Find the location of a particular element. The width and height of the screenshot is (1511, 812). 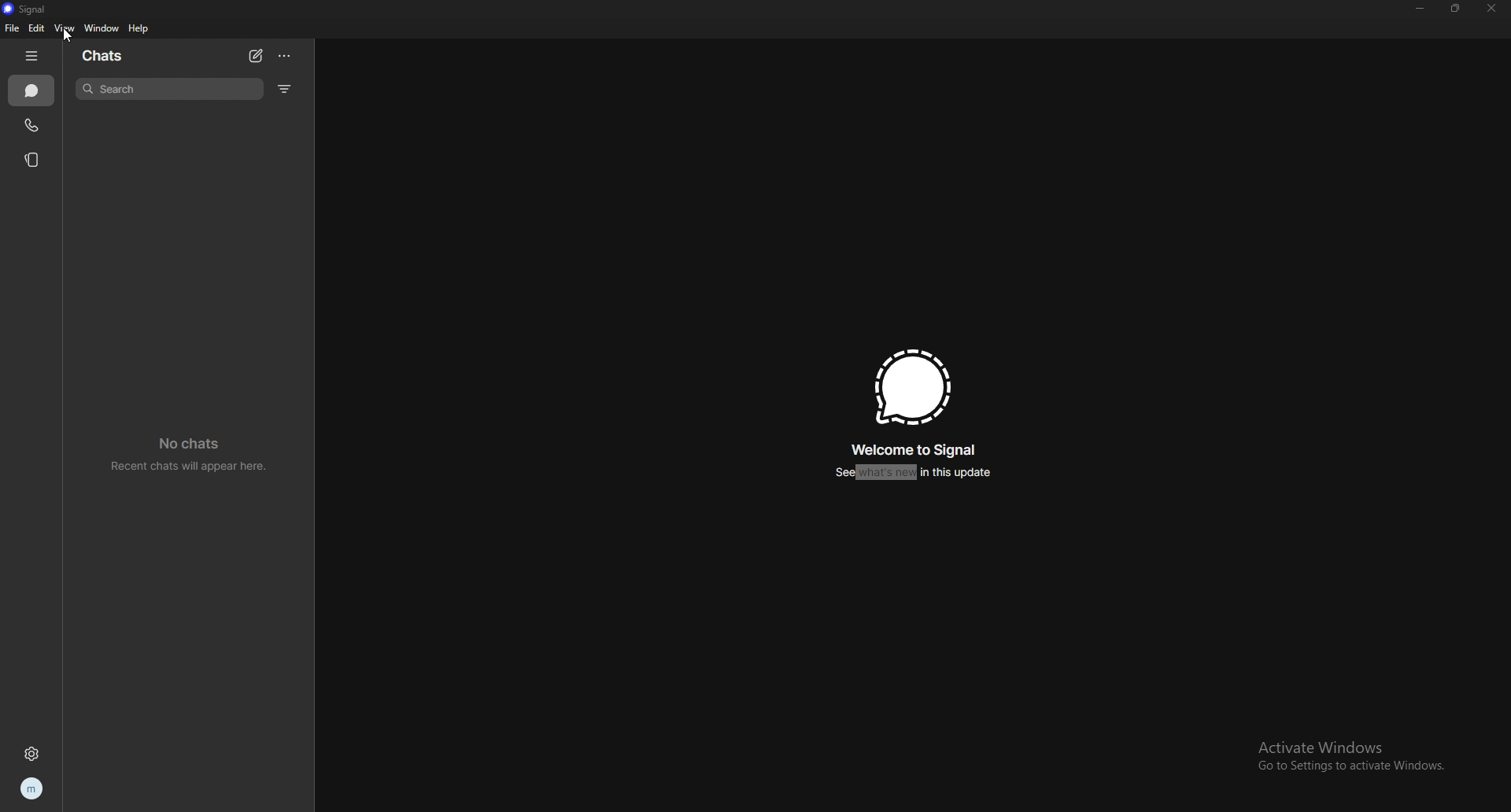

close is located at coordinates (1493, 8).